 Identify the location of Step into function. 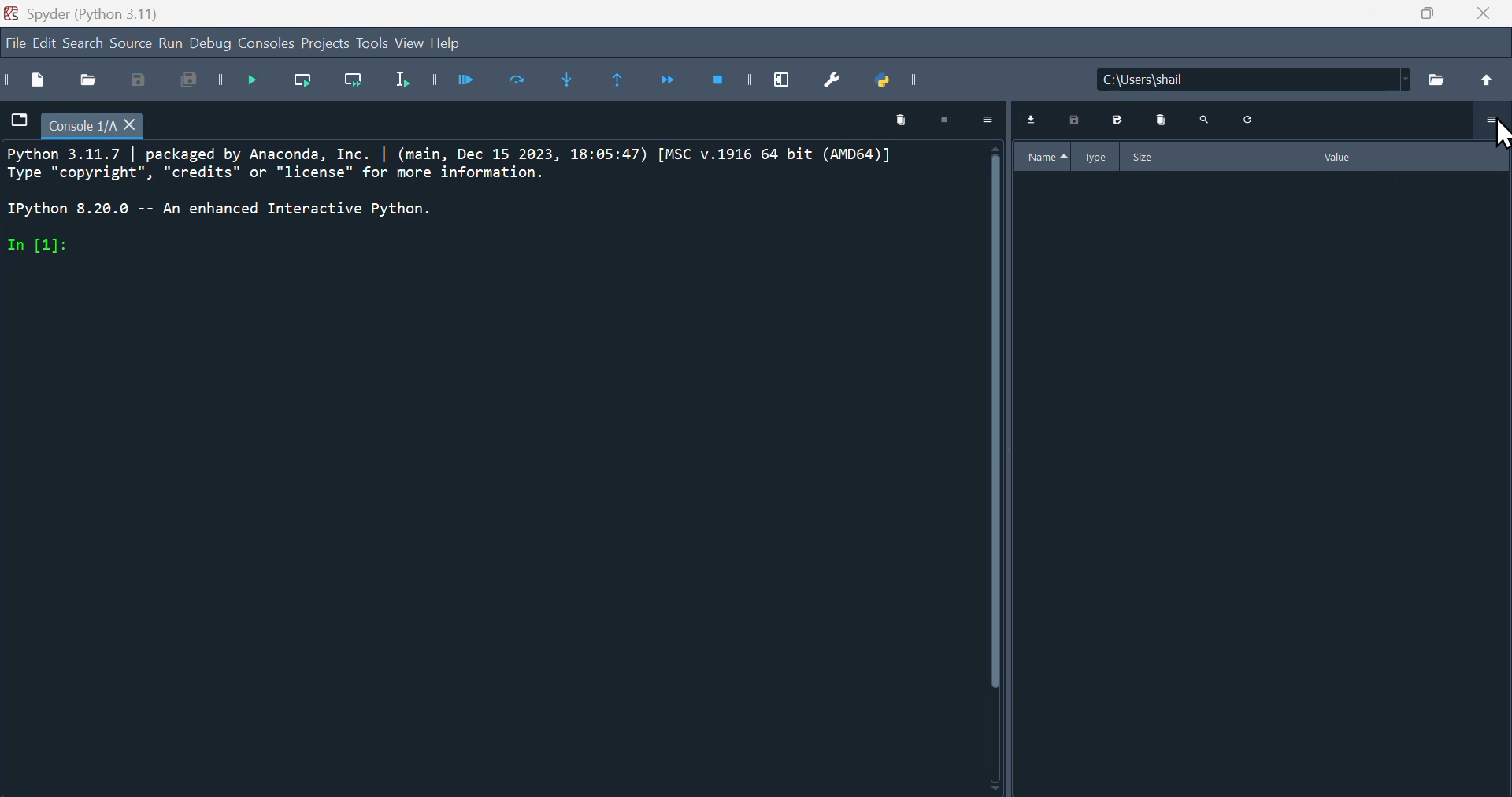
(571, 83).